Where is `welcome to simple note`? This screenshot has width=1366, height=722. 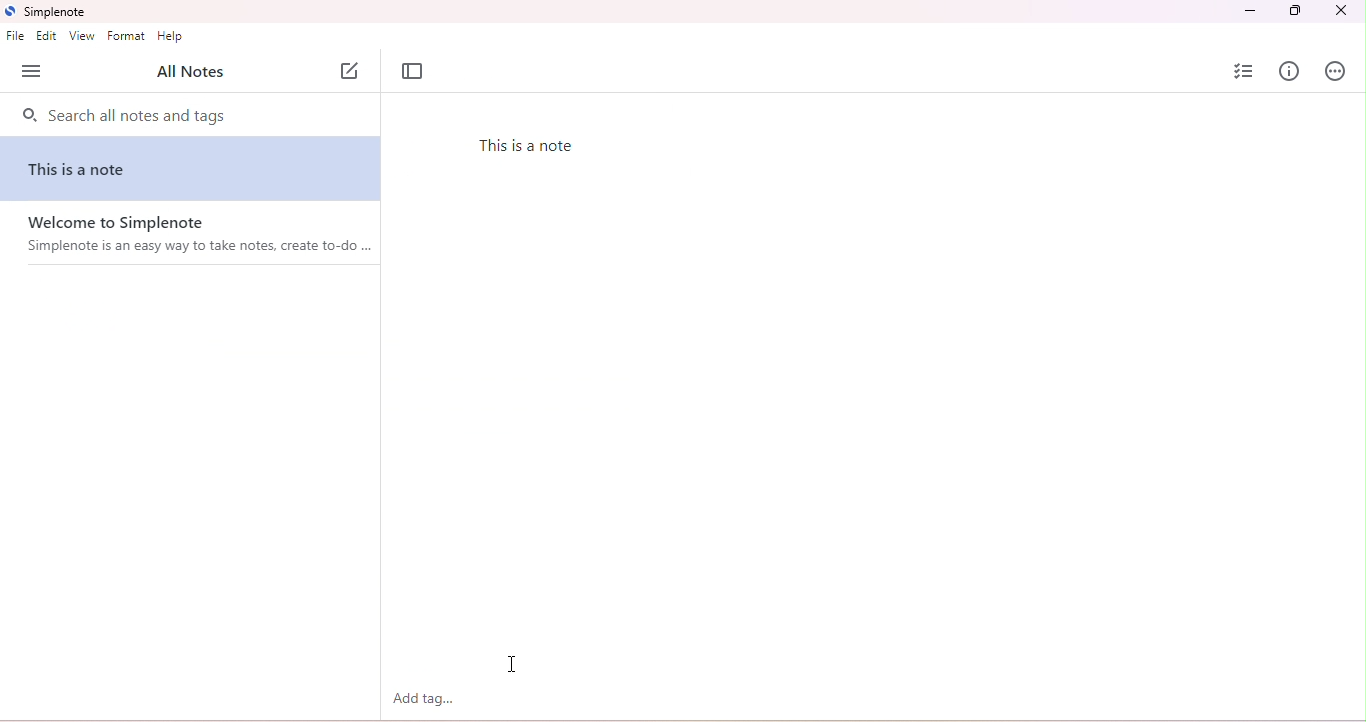
welcome to simple note is located at coordinates (197, 240).